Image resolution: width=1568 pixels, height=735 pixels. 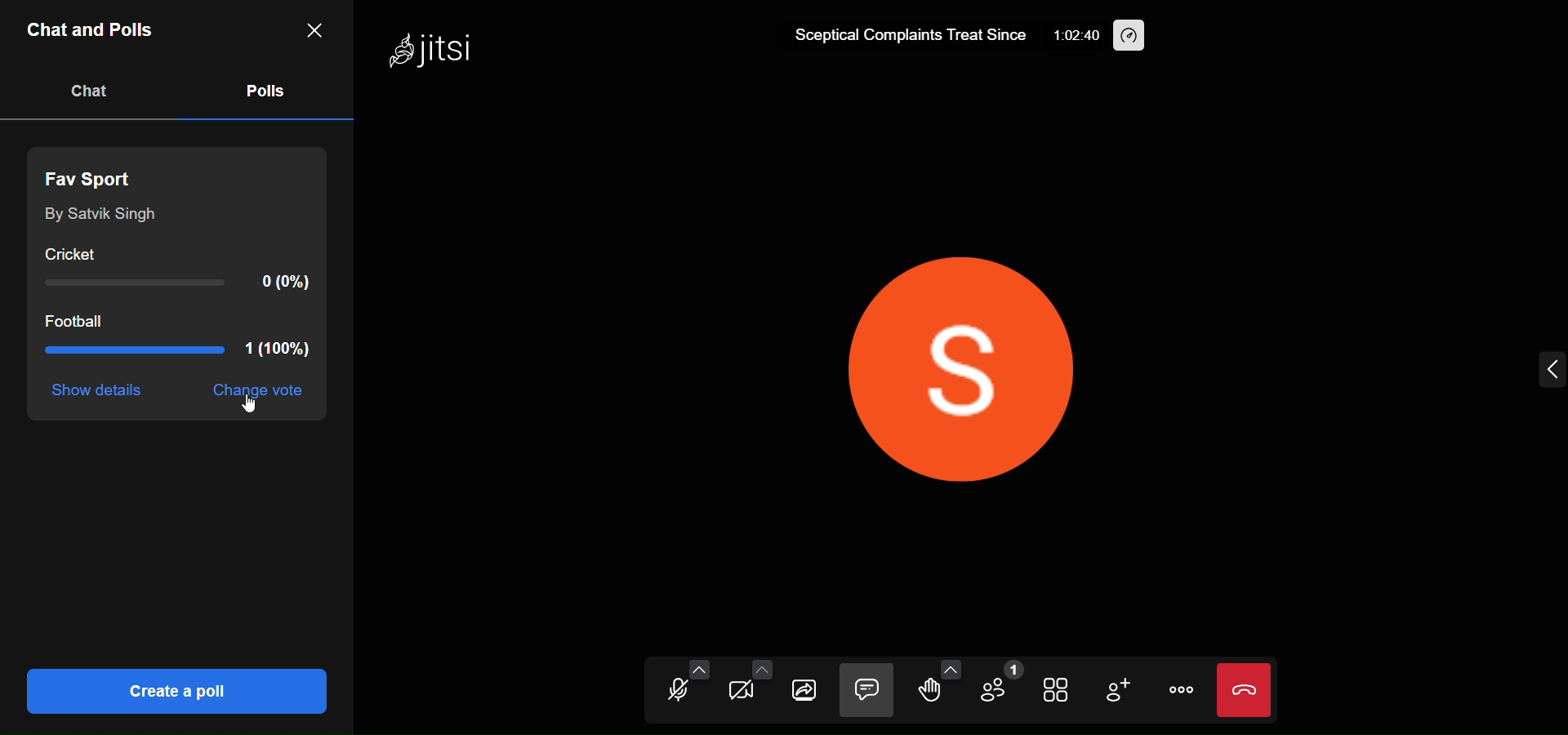 I want to click on chats, so click(x=90, y=91).